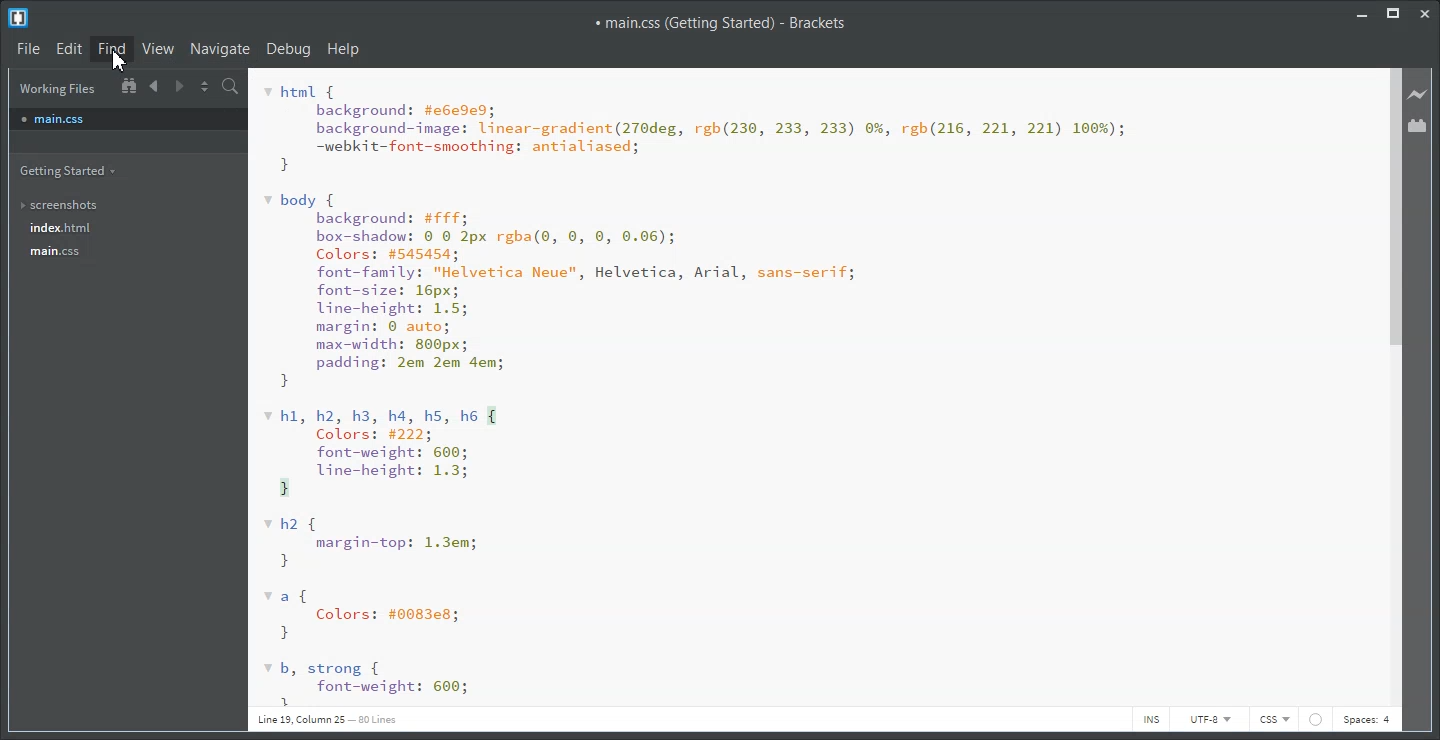  I want to click on a{
Colors: #00838;
}, so click(364, 615).